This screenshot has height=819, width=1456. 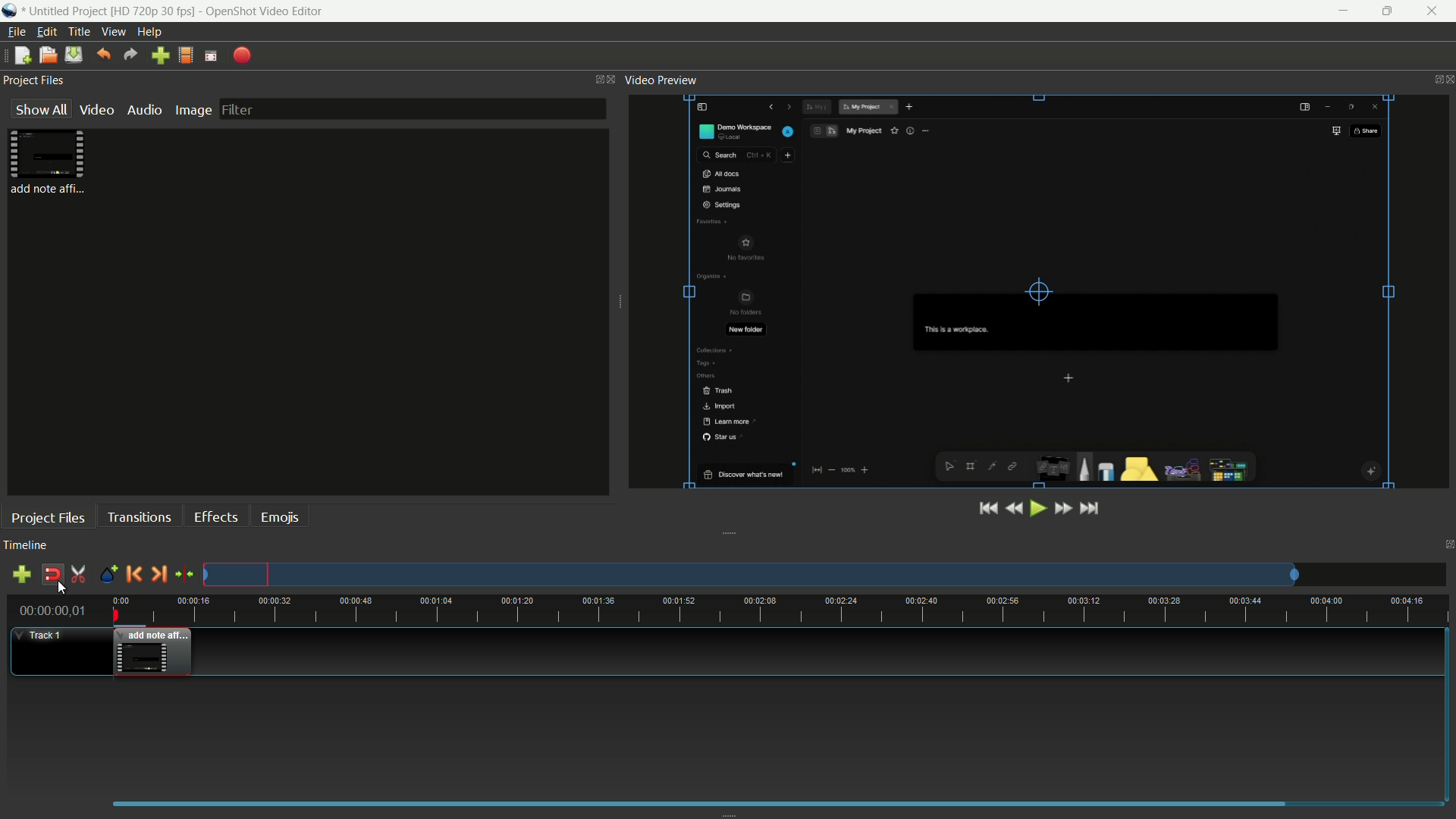 What do you see at coordinates (210, 57) in the screenshot?
I see `fullscreen` at bounding box center [210, 57].